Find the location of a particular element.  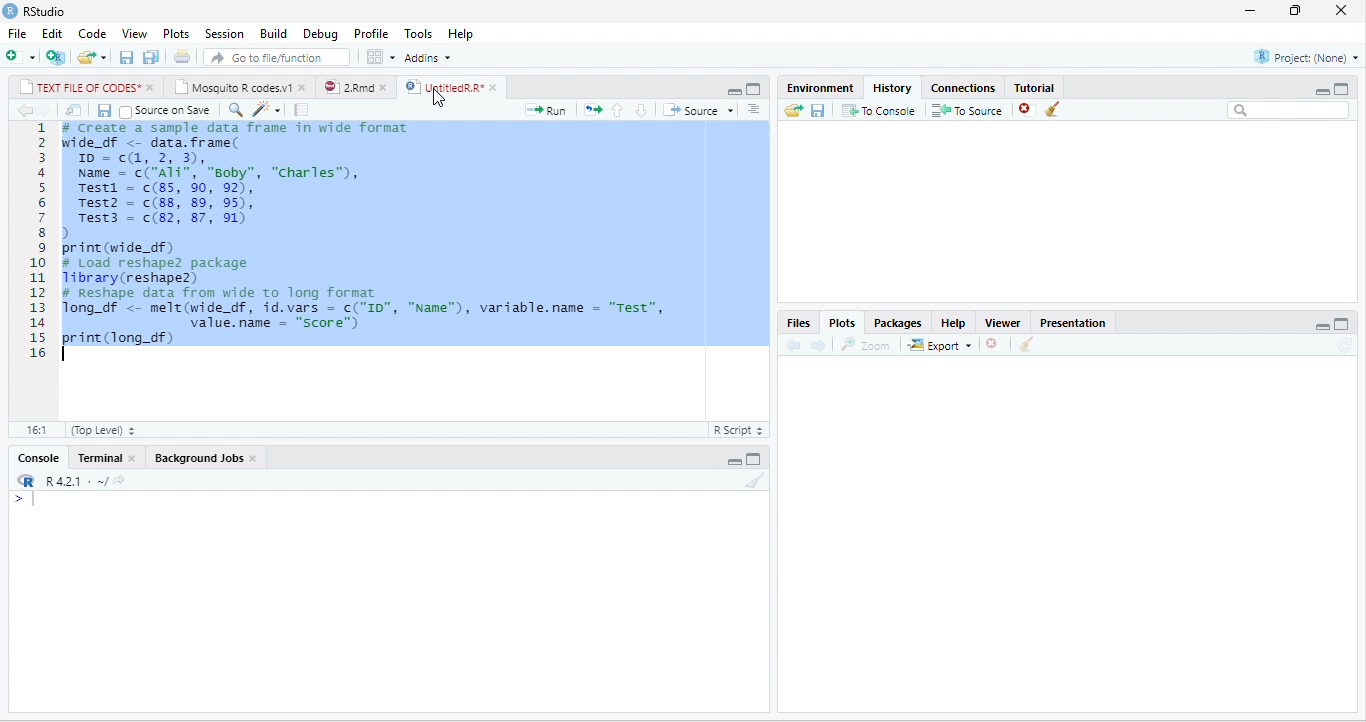

open file is located at coordinates (92, 57).